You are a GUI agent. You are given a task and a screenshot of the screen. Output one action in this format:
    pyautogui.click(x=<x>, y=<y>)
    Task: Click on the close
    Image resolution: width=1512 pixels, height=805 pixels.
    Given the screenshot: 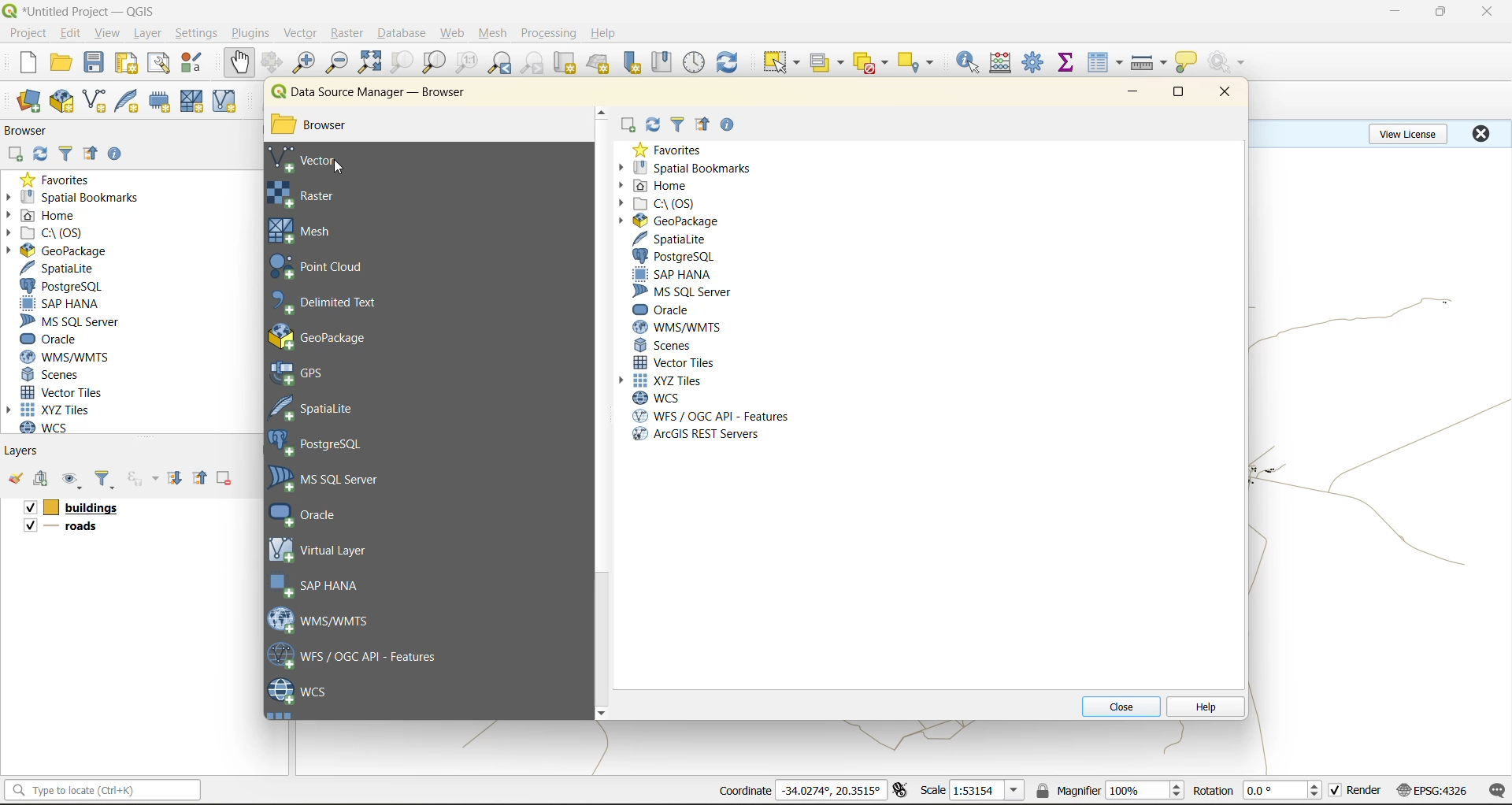 What is the action you would take?
    pyautogui.click(x=1480, y=133)
    